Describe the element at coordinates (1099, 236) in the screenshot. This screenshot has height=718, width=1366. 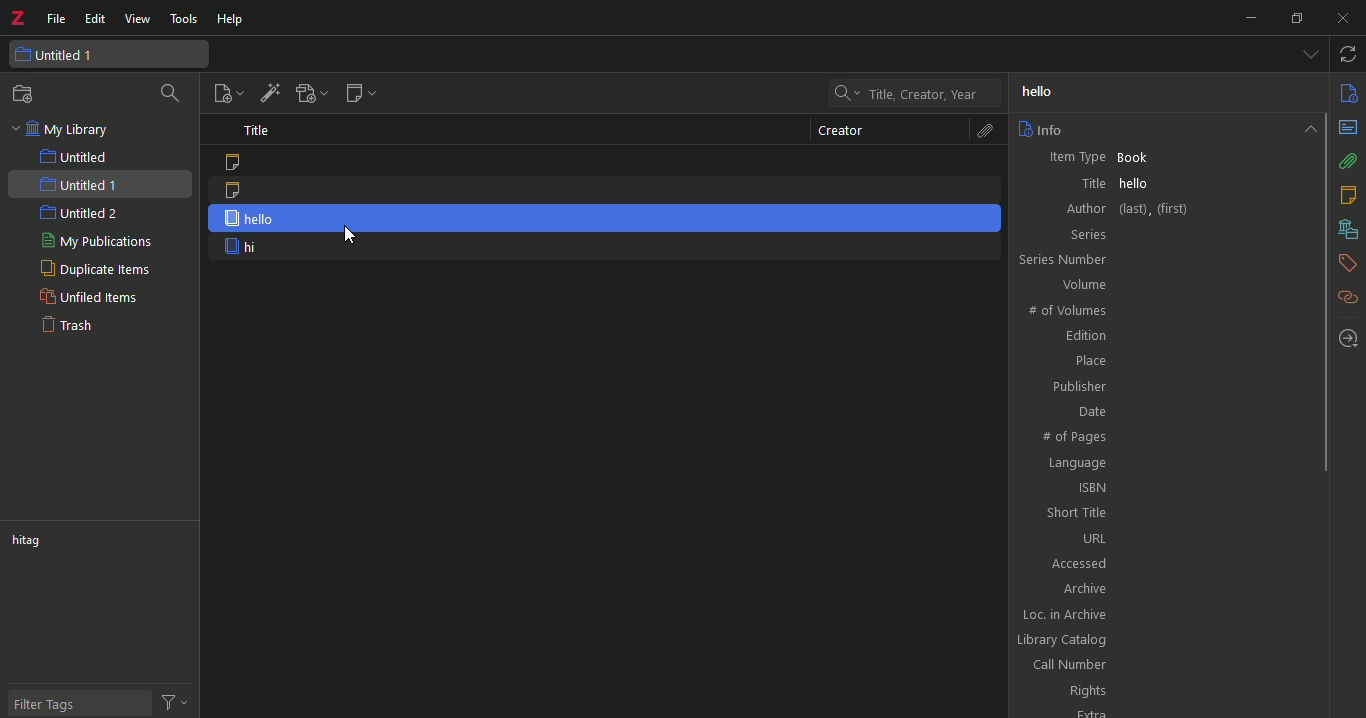
I see `series` at that location.